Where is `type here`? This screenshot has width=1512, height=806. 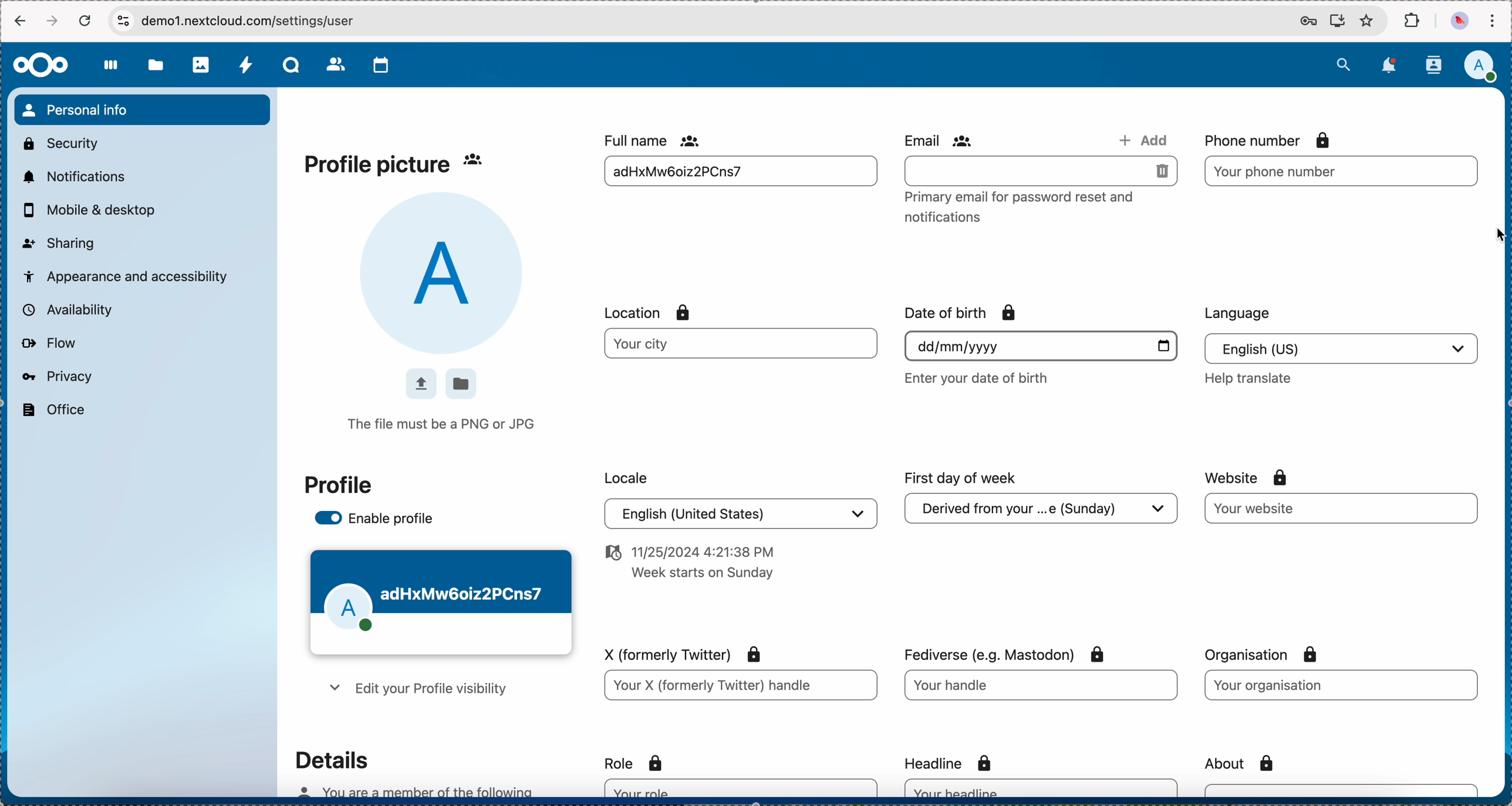 type here is located at coordinates (1342, 509).